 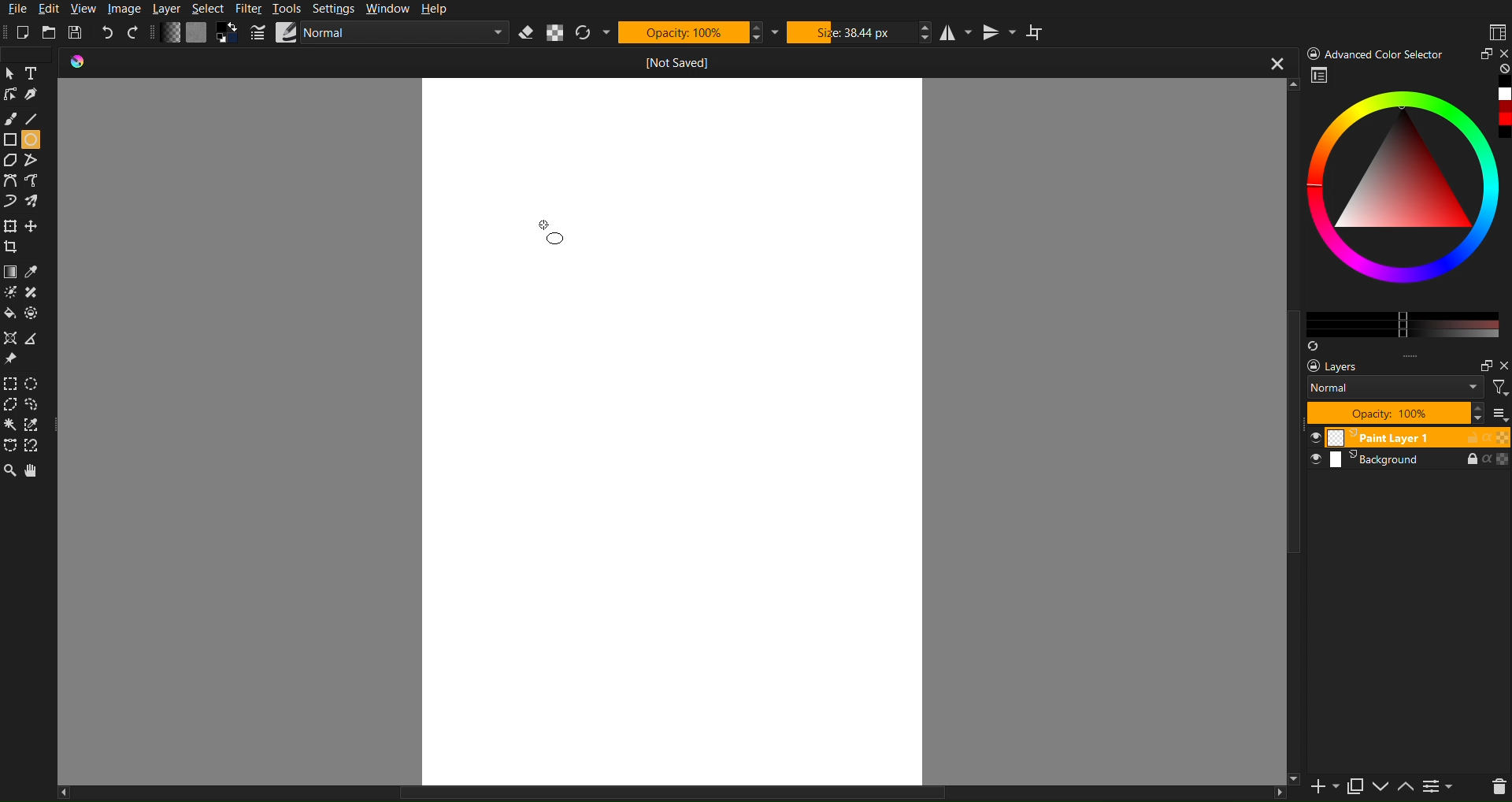 I want to click on close, so click(x=1269, y=59).